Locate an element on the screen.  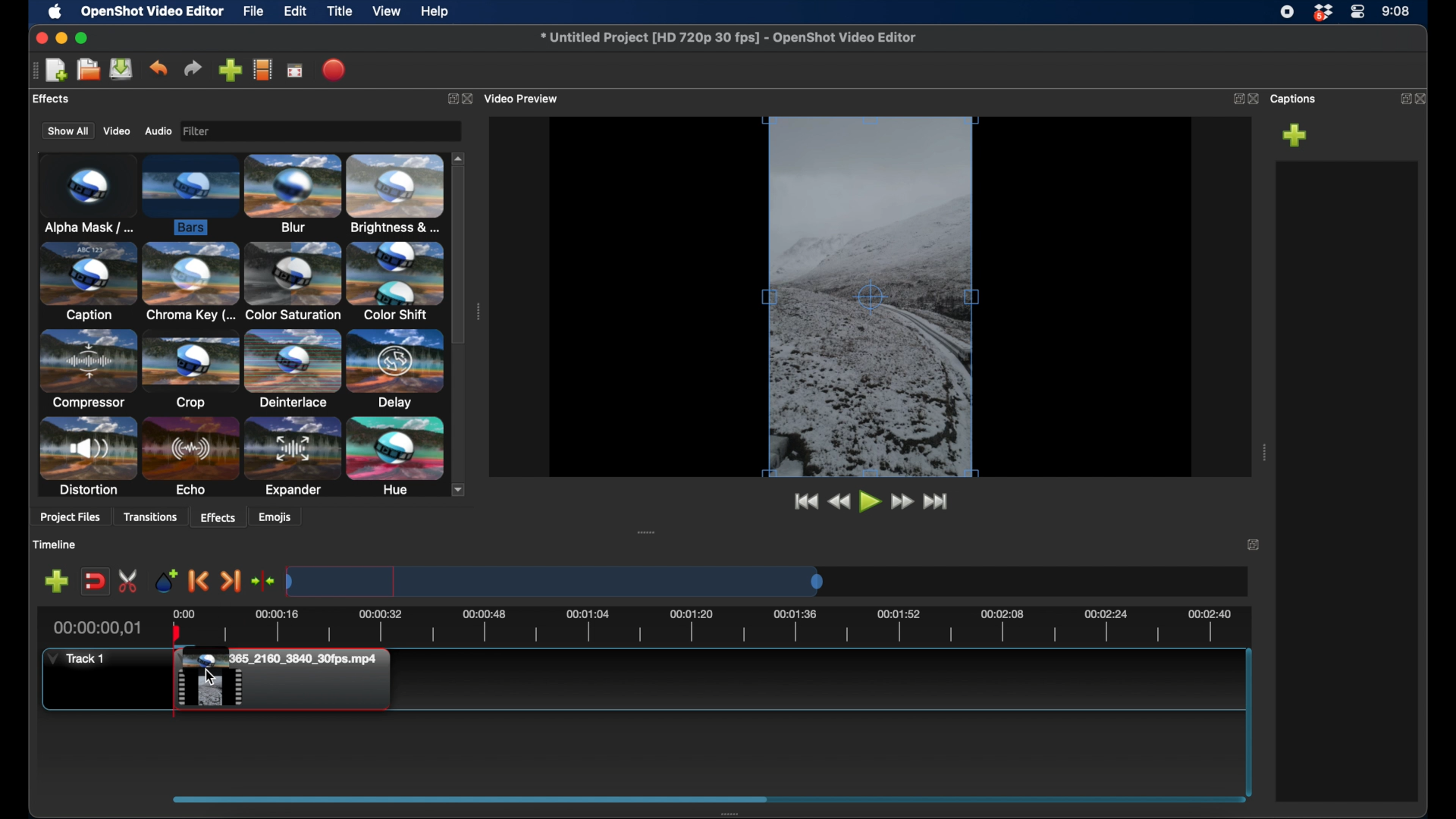
scroll box is located at coordinates (460, 256).